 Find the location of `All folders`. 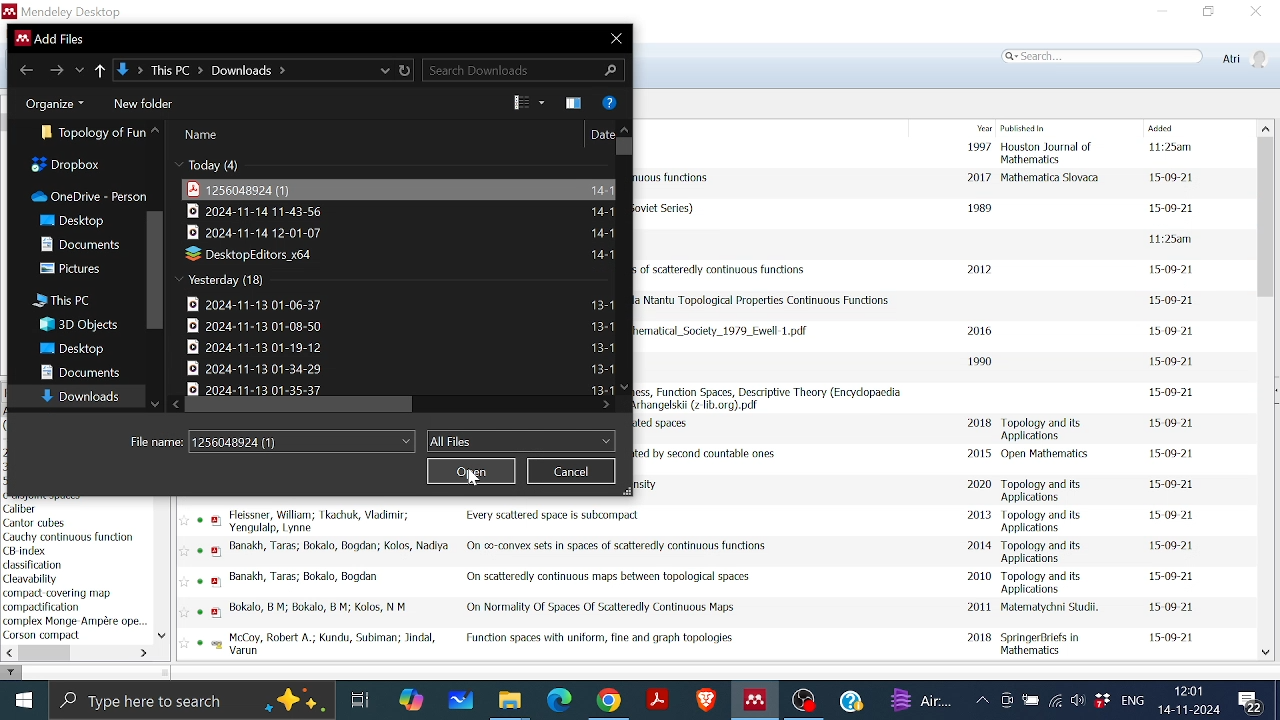

All folders is located at coordinates (158, 128).